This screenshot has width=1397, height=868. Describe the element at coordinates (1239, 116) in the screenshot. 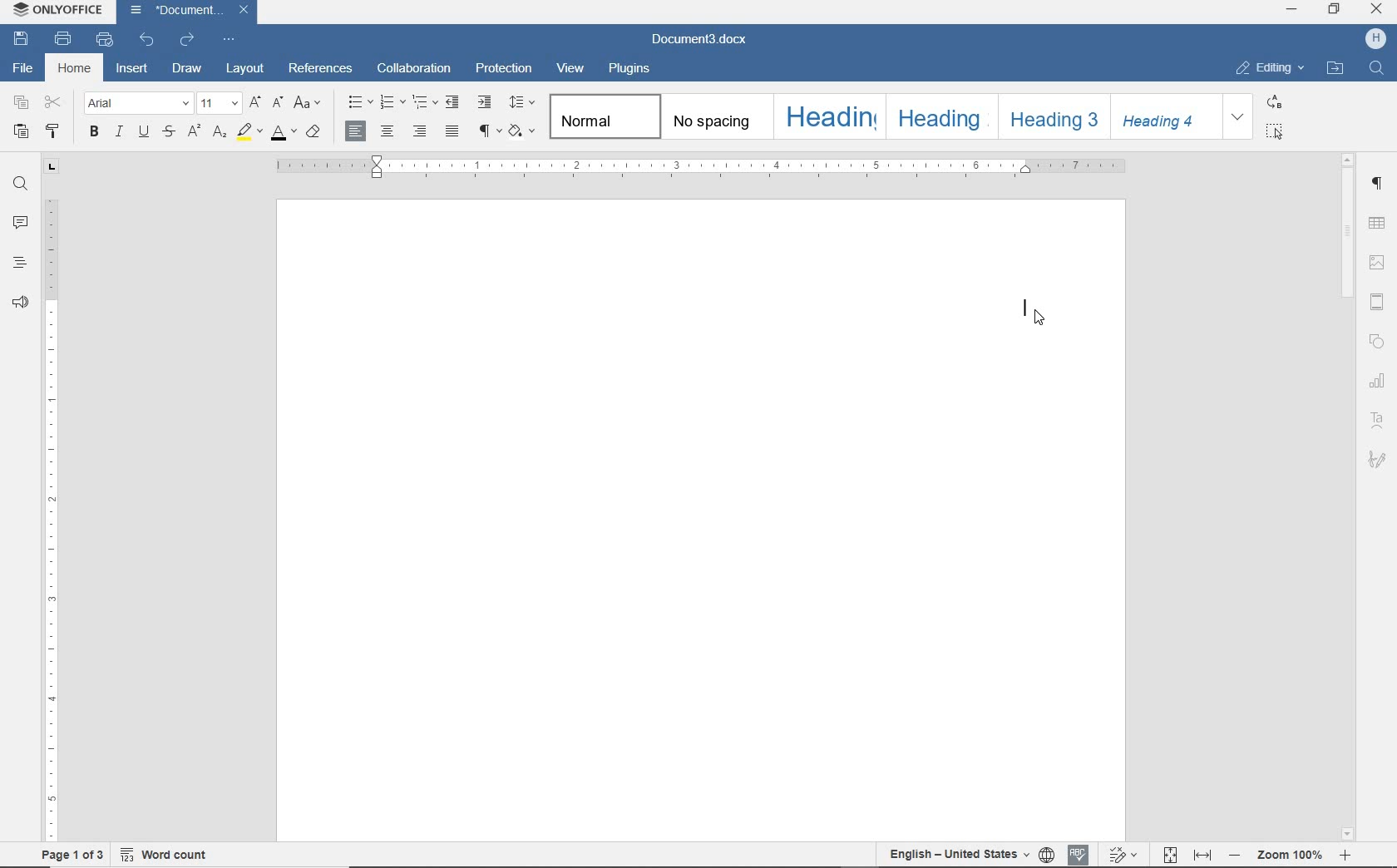

I see `EXPAND` at that location.